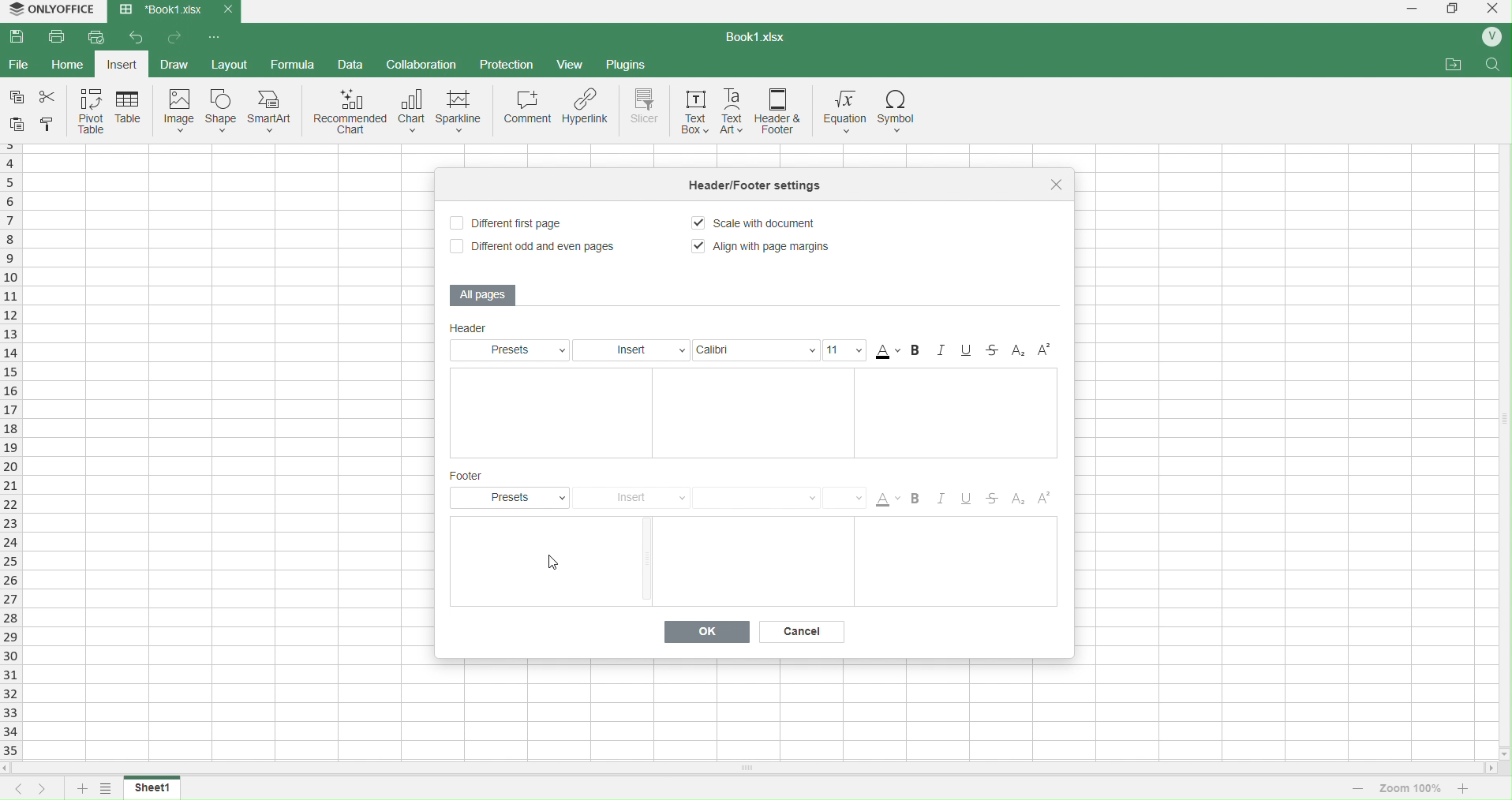 This screenshot has width=1512, height=800. Describe the element at coordinates (555, 564) in the screenshot. I see `cursor` at that location.